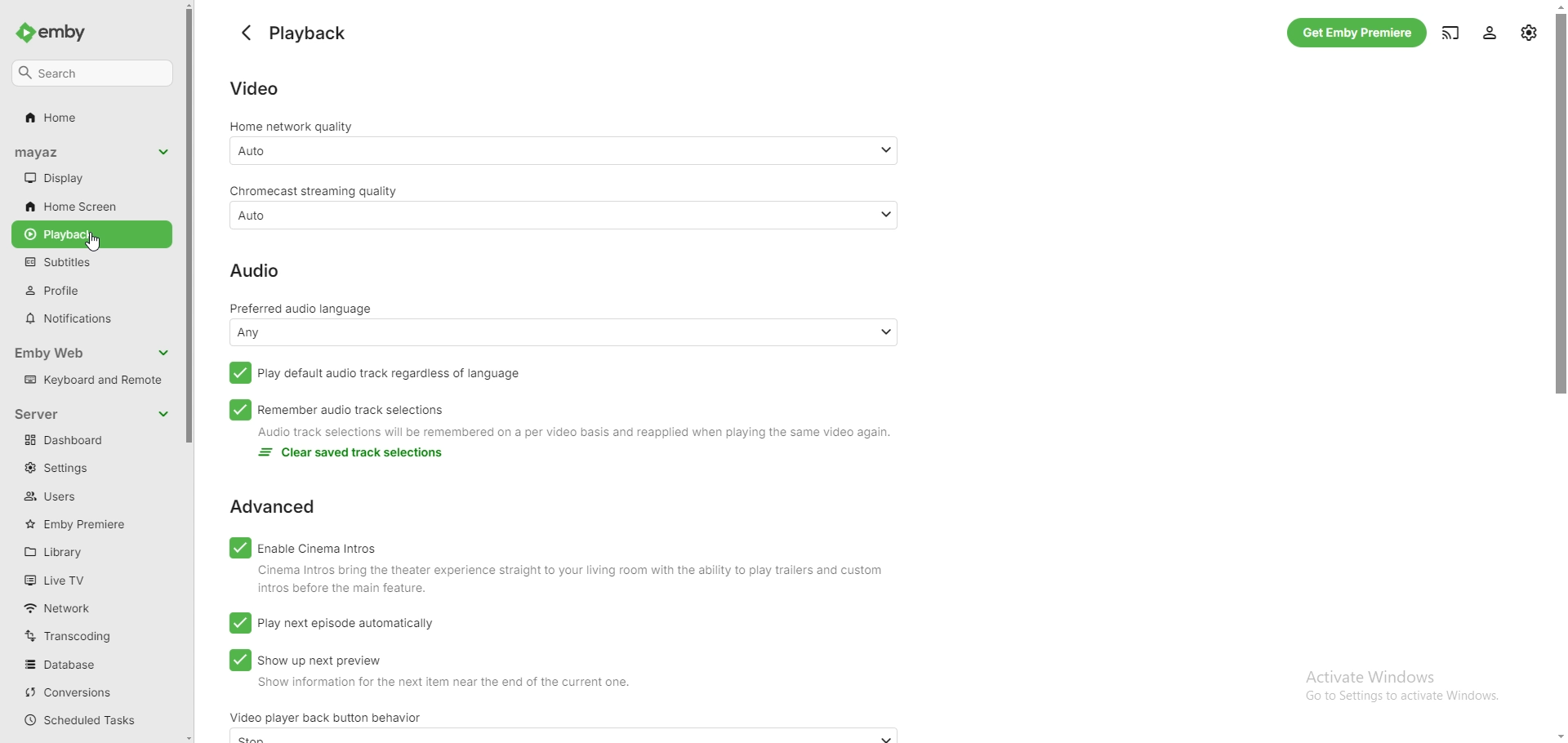 The width and height of the screenshot is (1568, 743). Describe the element at coordinates (255, 88) in the screenshot. I see `video` at that location.